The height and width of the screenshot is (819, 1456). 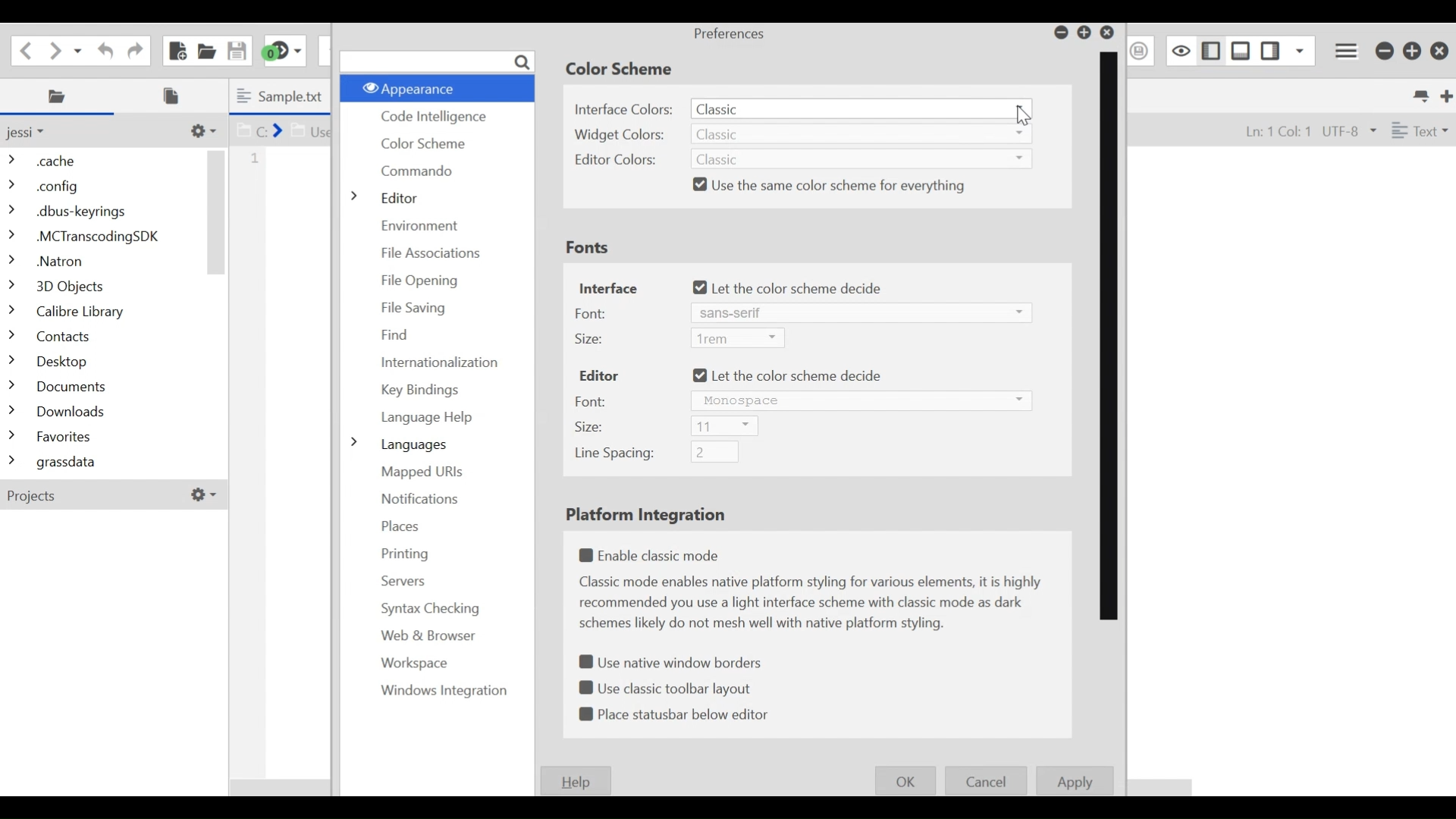 What do you see at coordinates (730, 34) in the screenshot?
I see `Preferences` at bounding box center [730, 34].